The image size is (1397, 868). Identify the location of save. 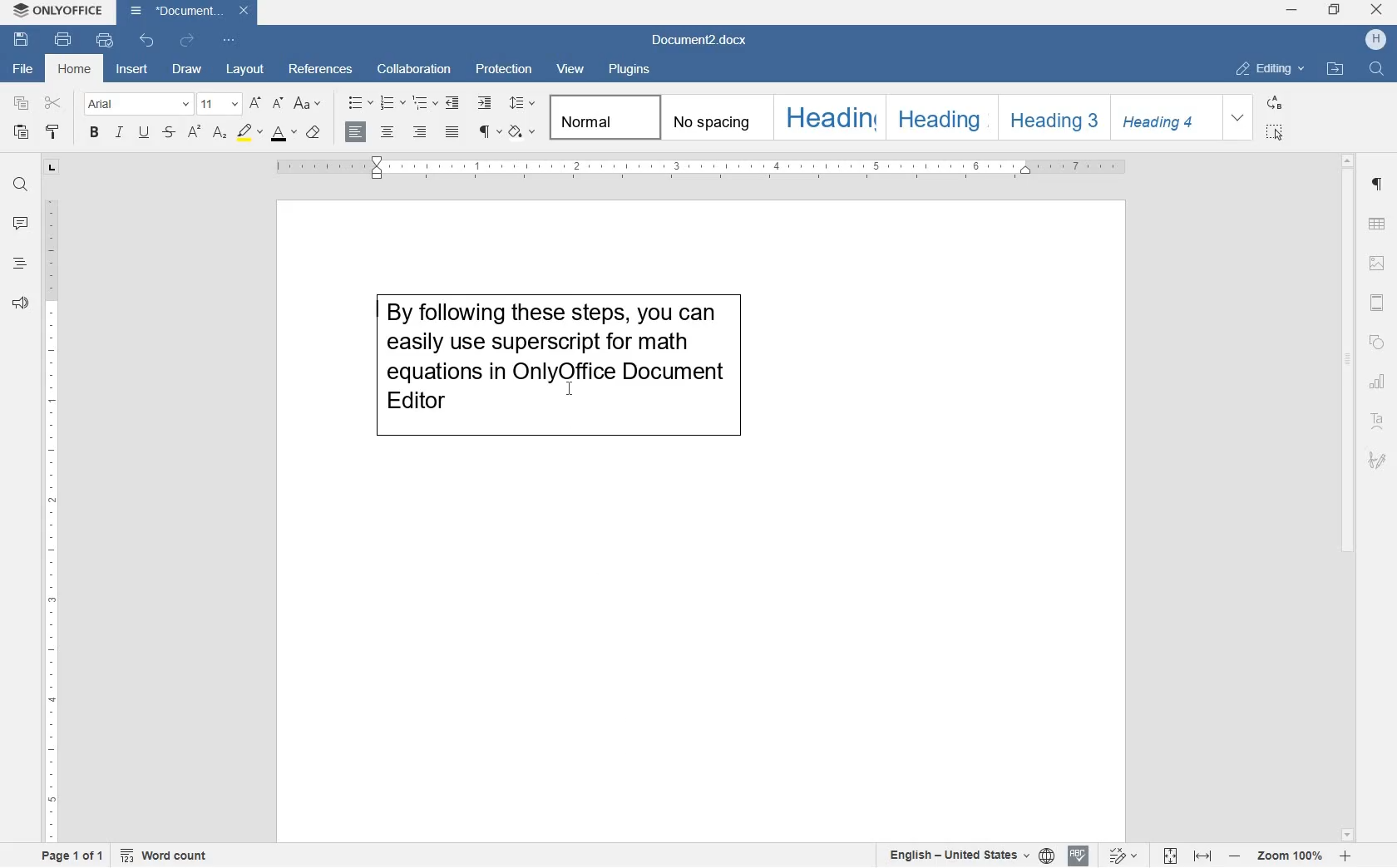
(19, 39).